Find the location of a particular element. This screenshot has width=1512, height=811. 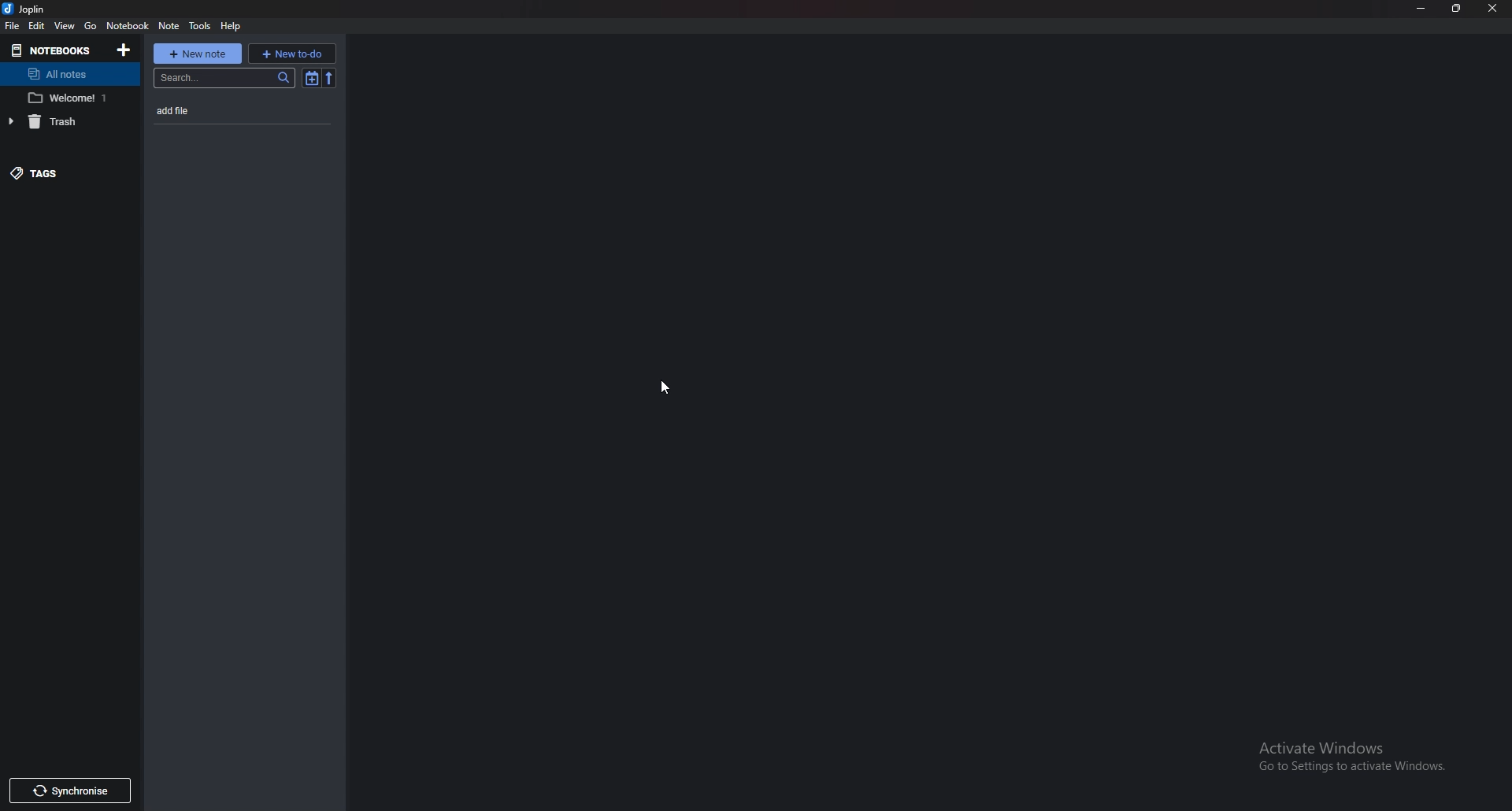

Edit is located at coordinates (37, 26).